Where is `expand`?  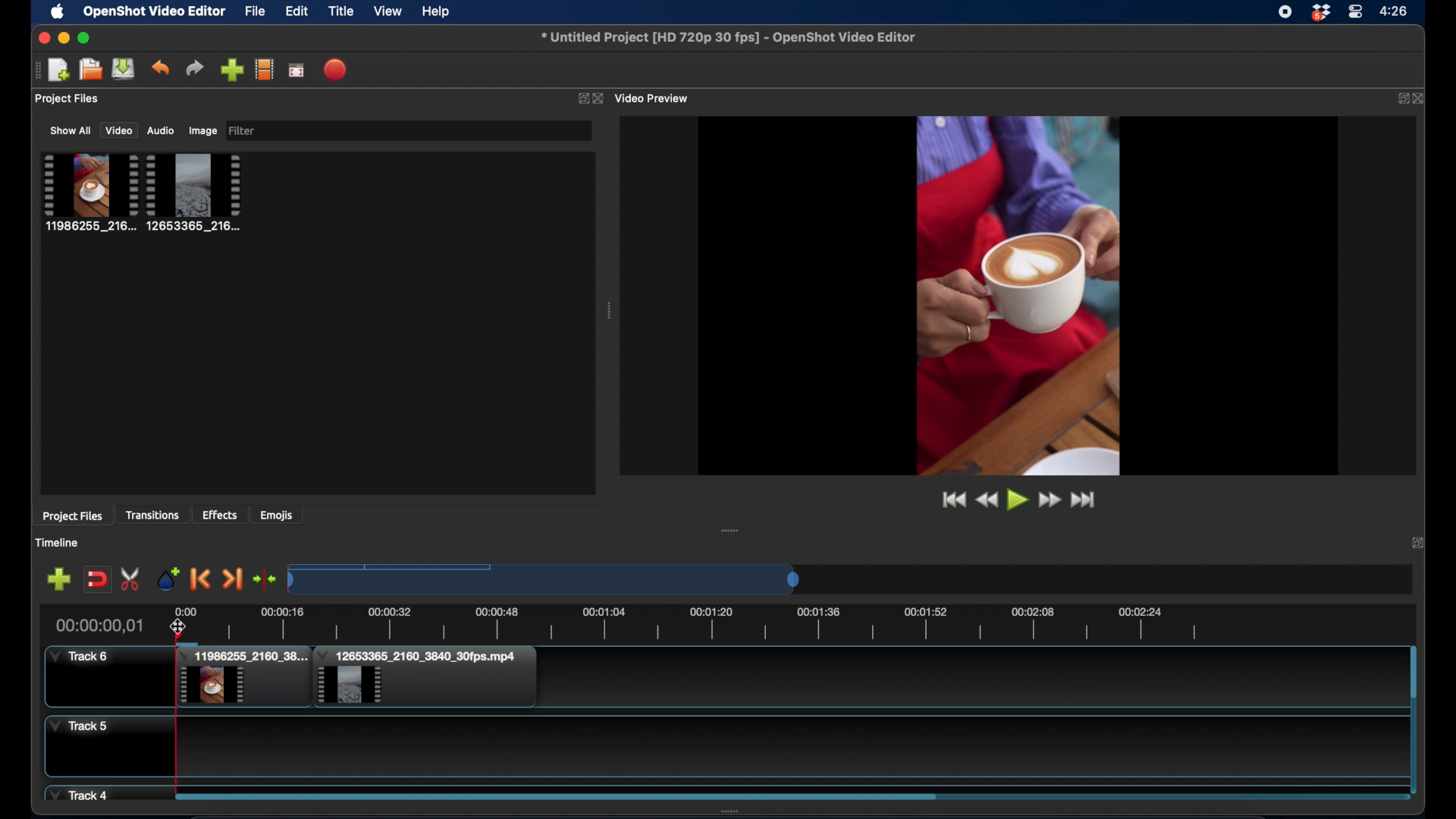
expand is located at coordinates (1399, 98).